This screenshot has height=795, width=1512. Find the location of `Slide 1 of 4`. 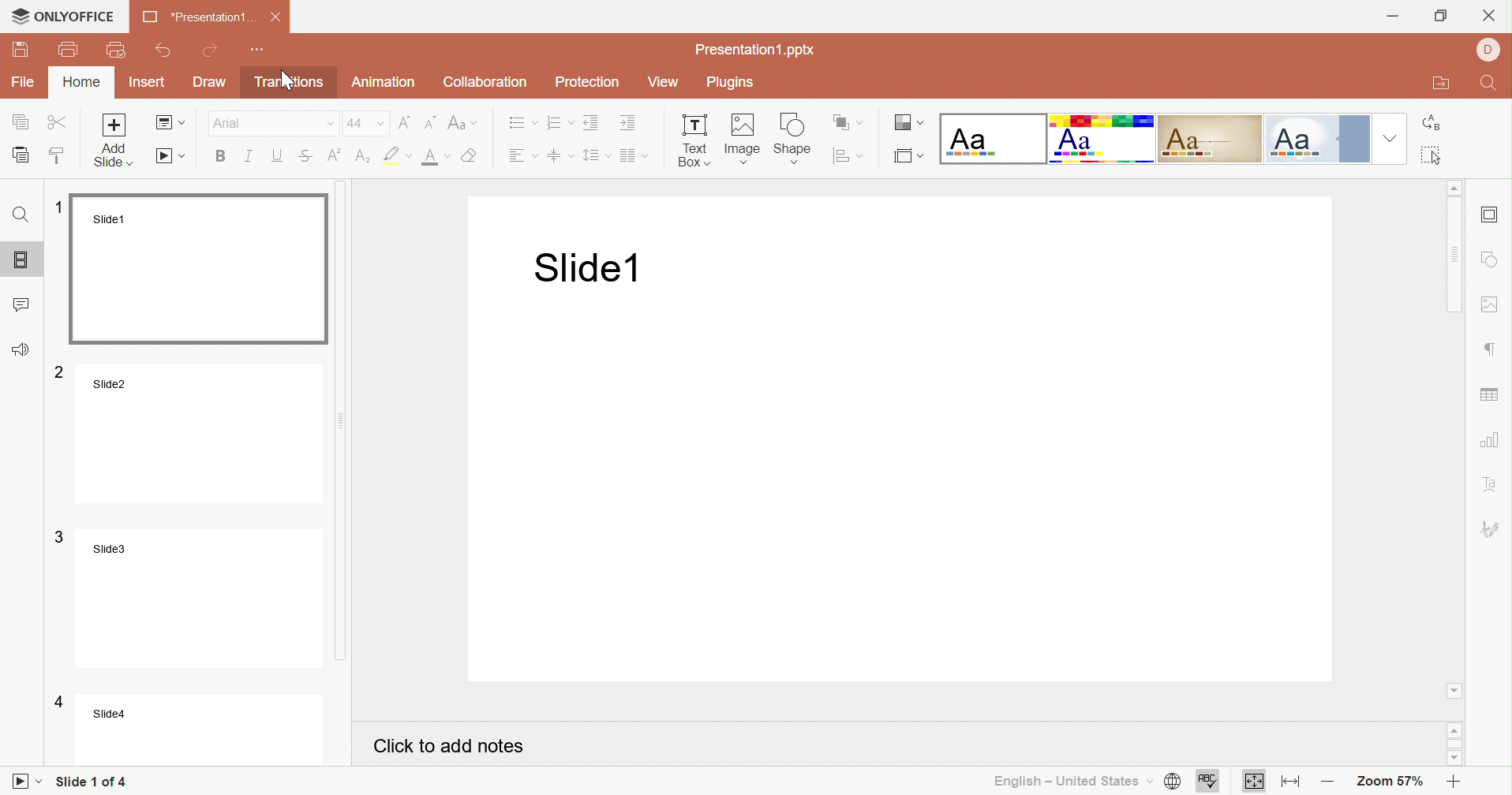

Slide 1 of 4 is located at coordinates (91, 782).